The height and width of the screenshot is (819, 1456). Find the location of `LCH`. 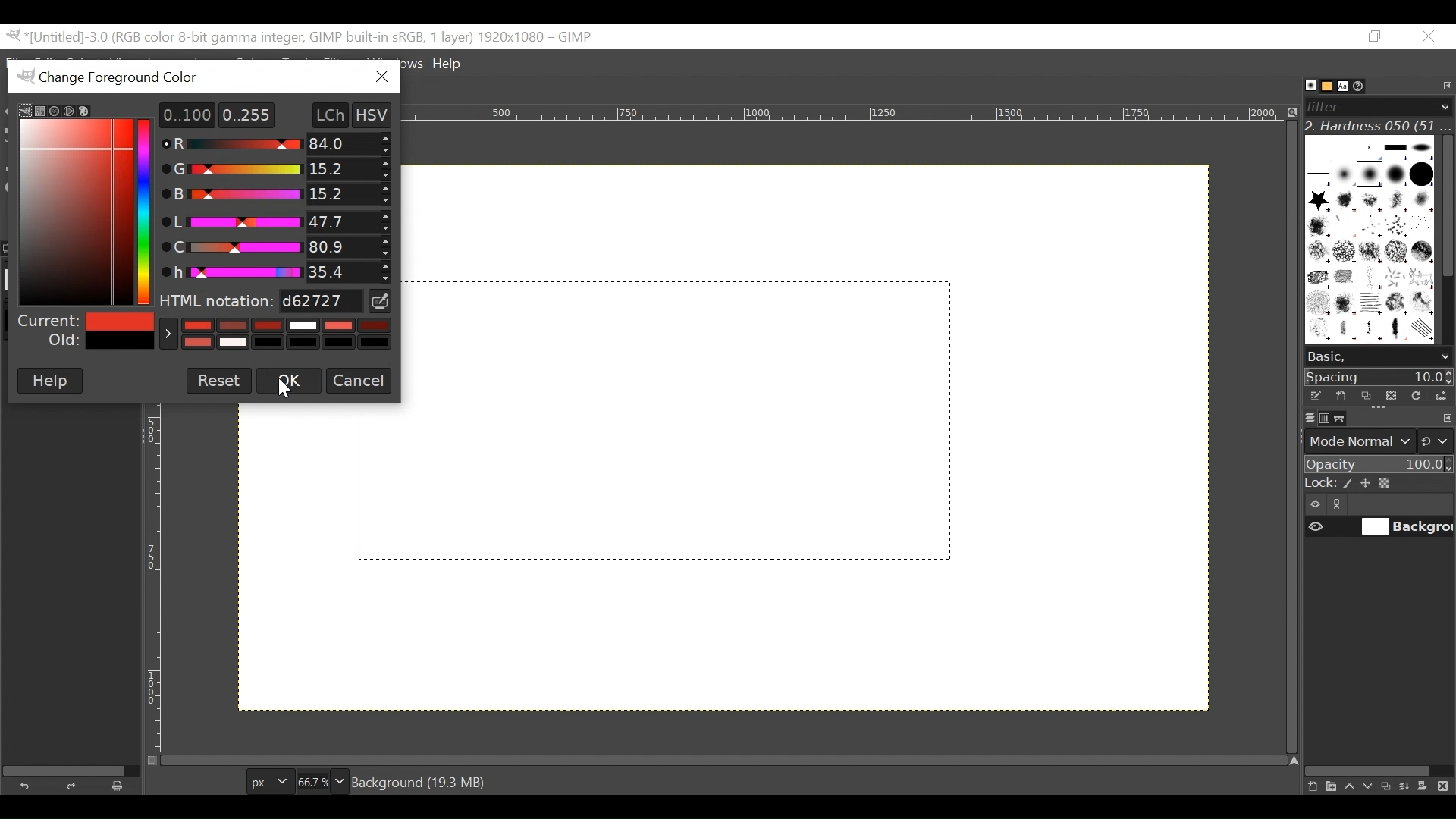

LCH is located at coordinates (323, 115).